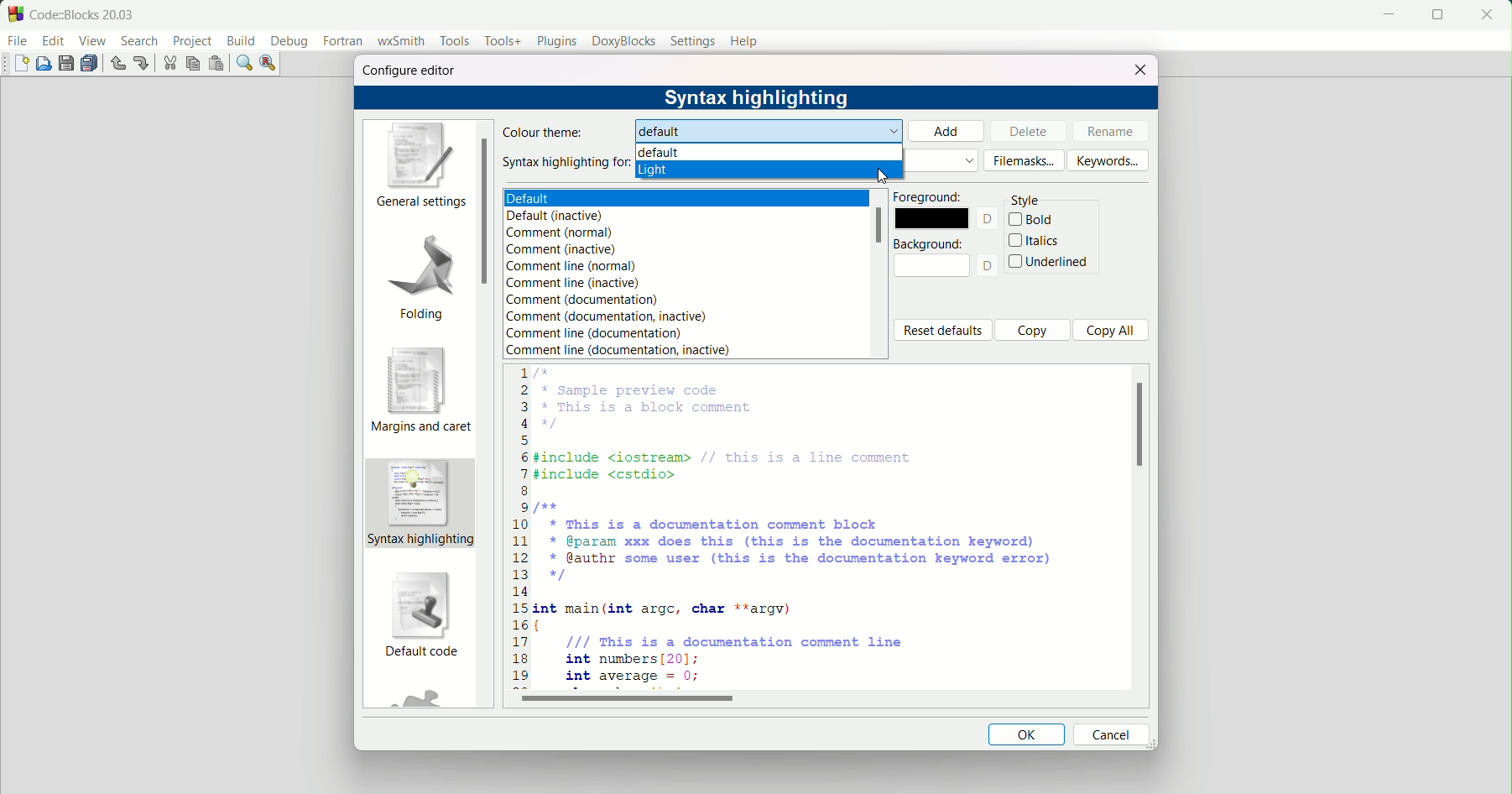  I want to click on foreground, so click(931, 196).